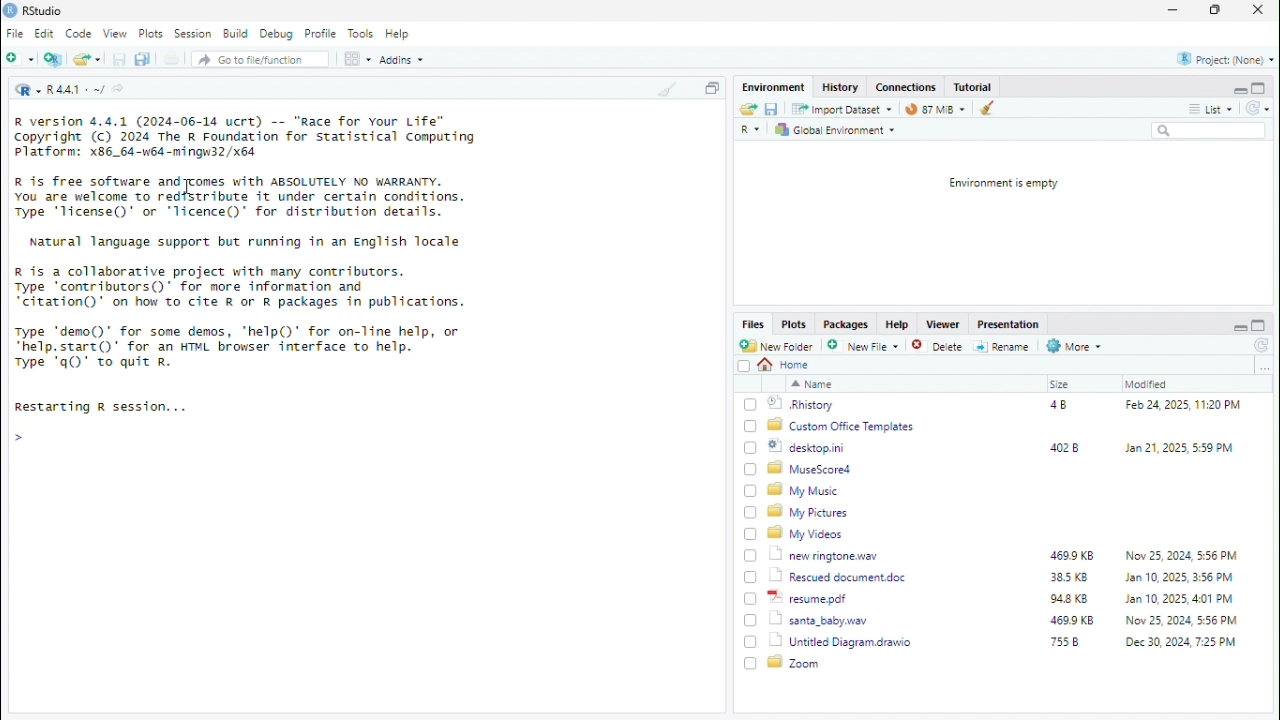  What do you see at coordinates (974, 87) in the screenshot?
I see `Tutorial` at bounding box center [974, 87].